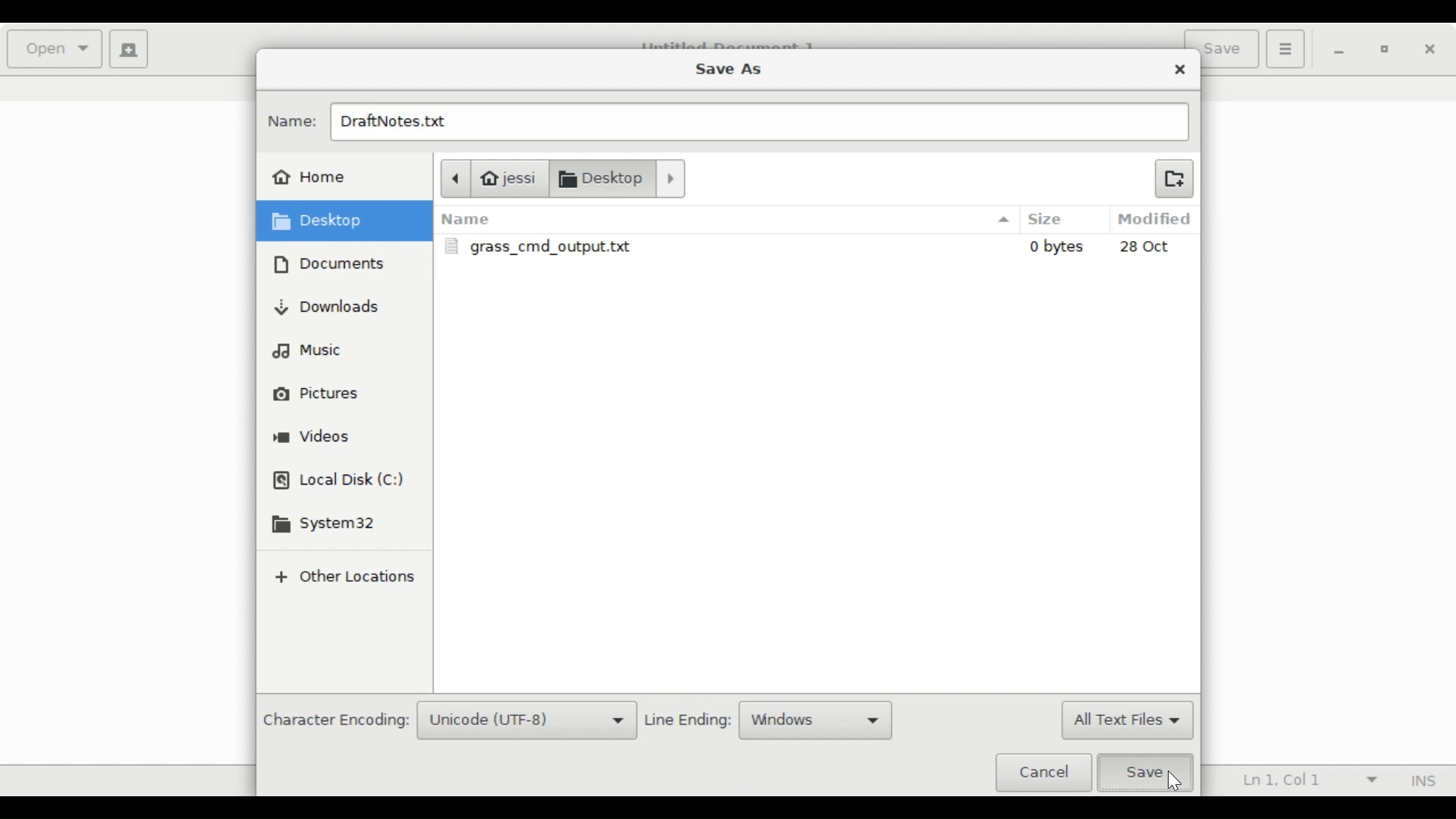 The height and width of the screenshot is (819, 1456). I want to click on Cancel, so click(1043, 771).